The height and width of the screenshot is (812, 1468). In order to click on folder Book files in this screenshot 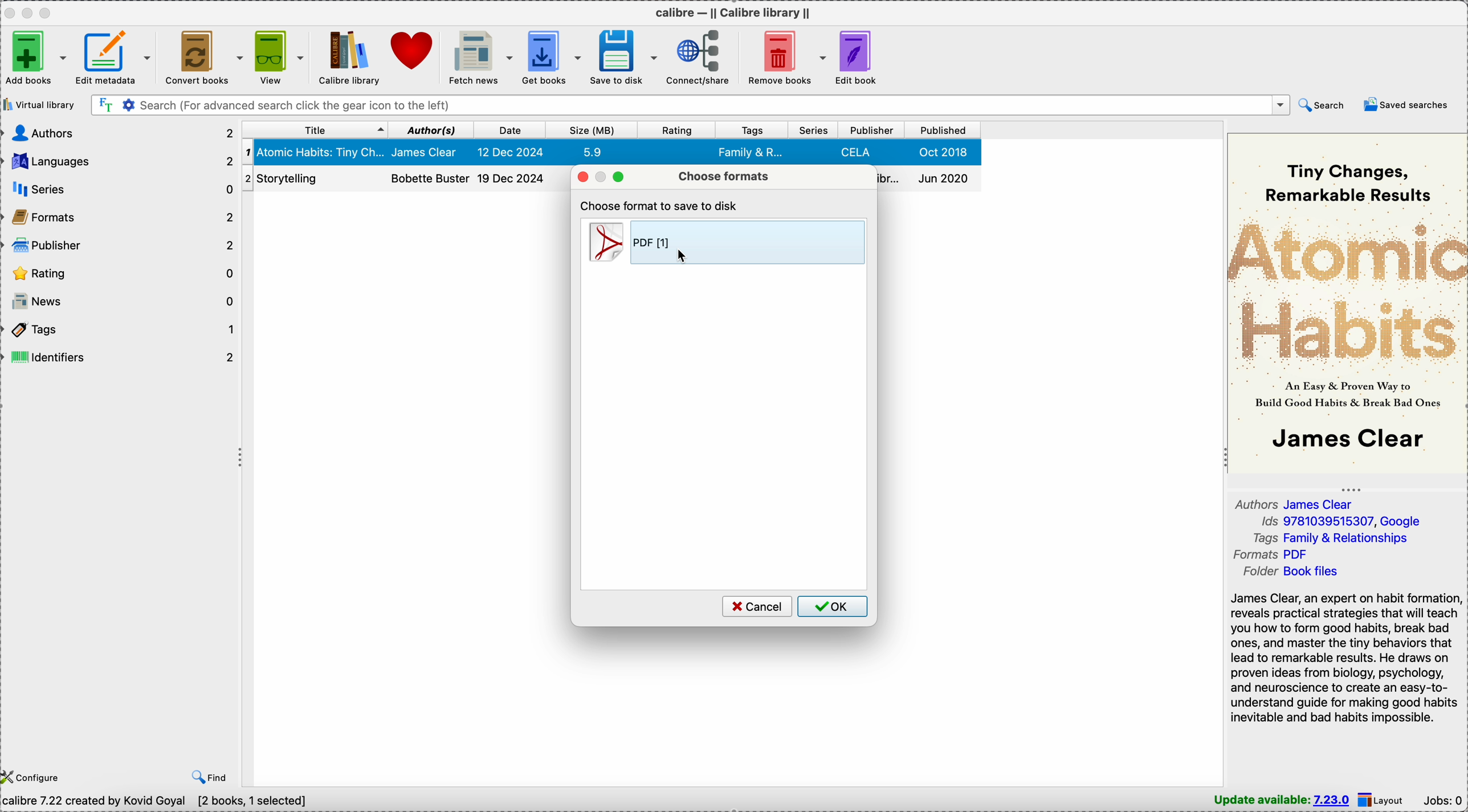, I will do `click(1292, 572)`.